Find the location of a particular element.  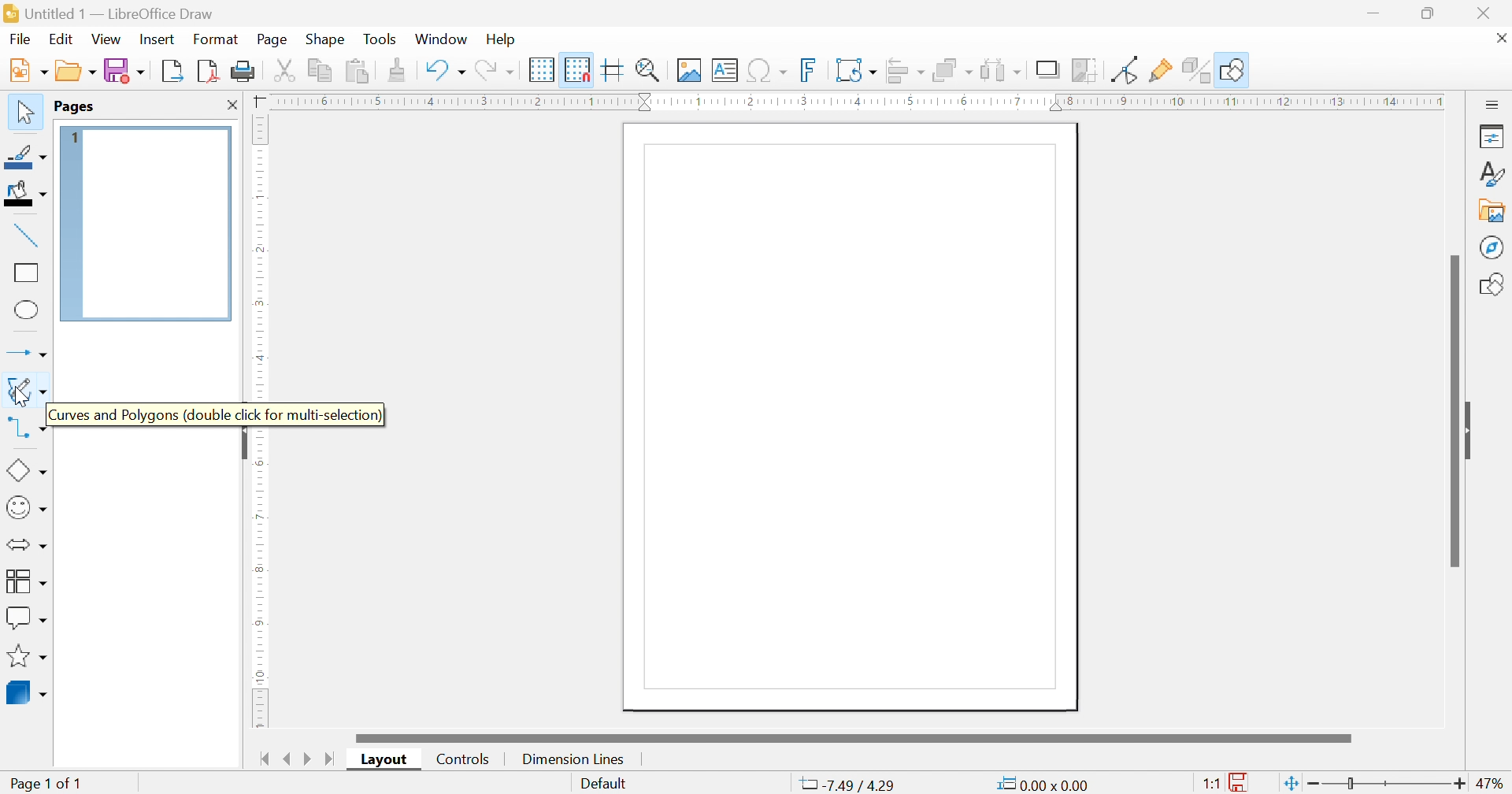

next/previous is located at coordinates (298, 759).